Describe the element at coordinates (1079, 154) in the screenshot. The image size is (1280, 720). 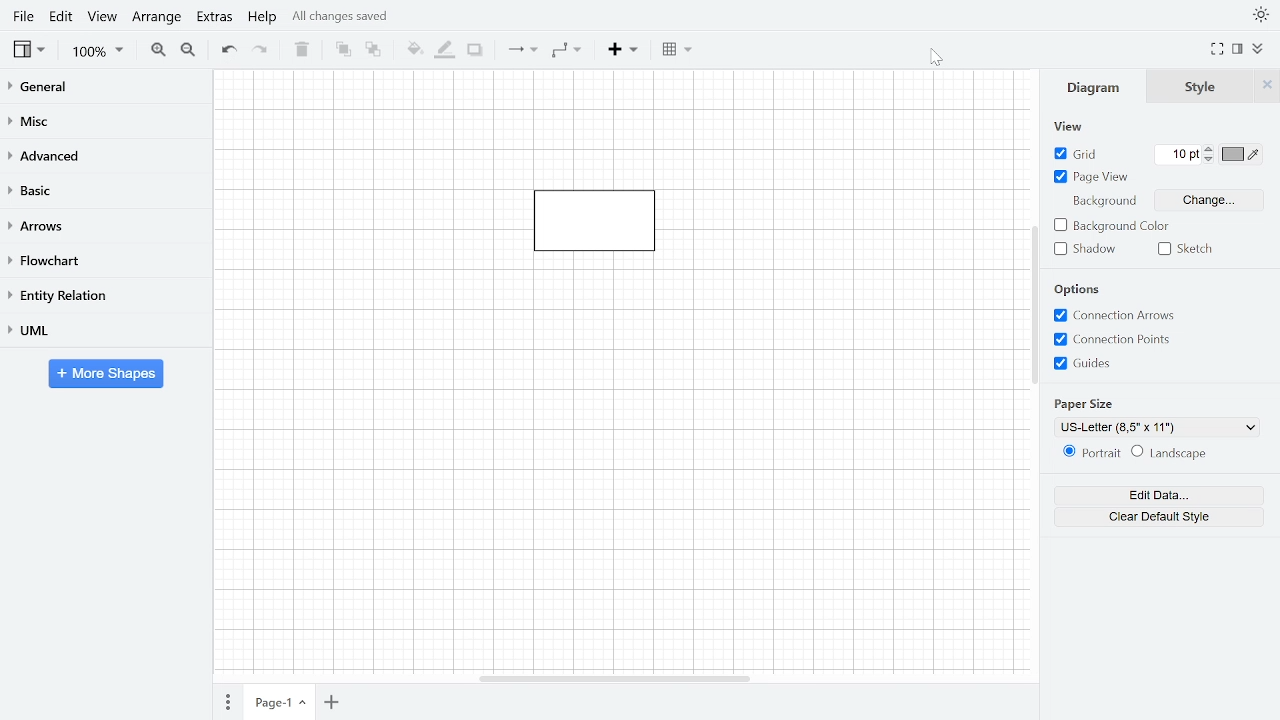
I see `Grid` at that location.